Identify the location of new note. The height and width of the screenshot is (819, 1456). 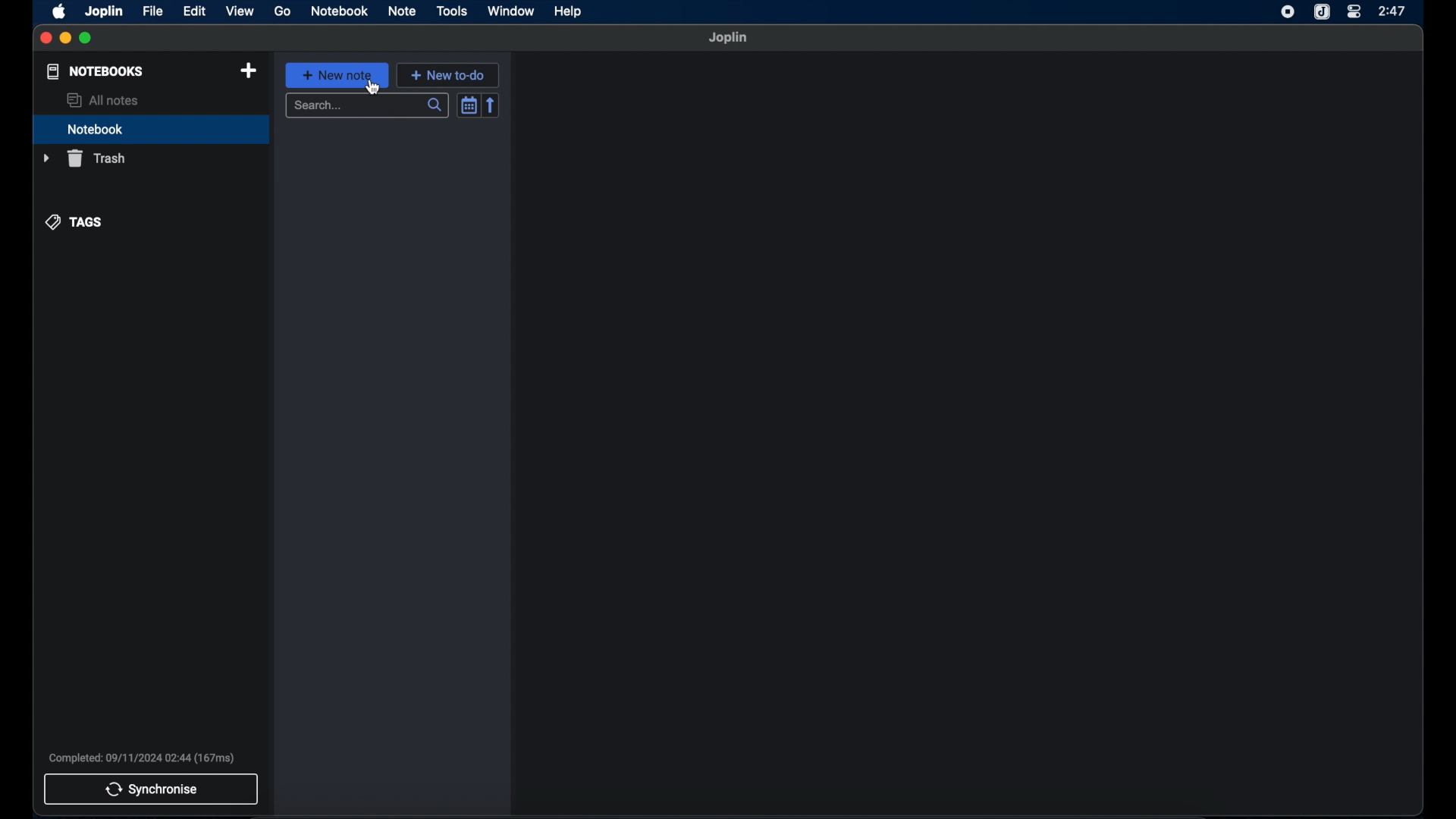
(337, 75).